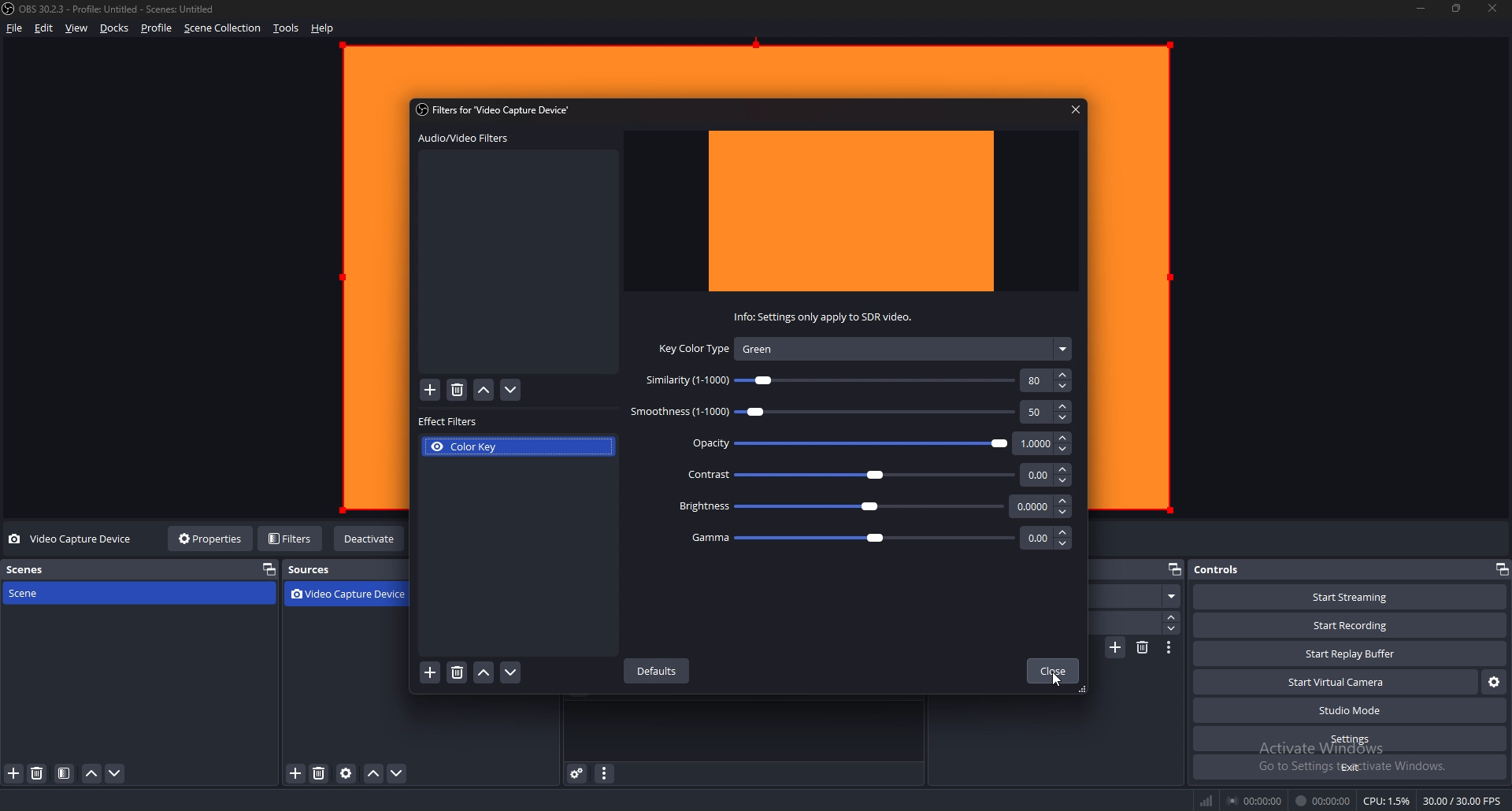 Image resolution: width=1512 pixels, height=811 pixels. I want to click on Filters for "Video Capture Device’, so click(496, 109).